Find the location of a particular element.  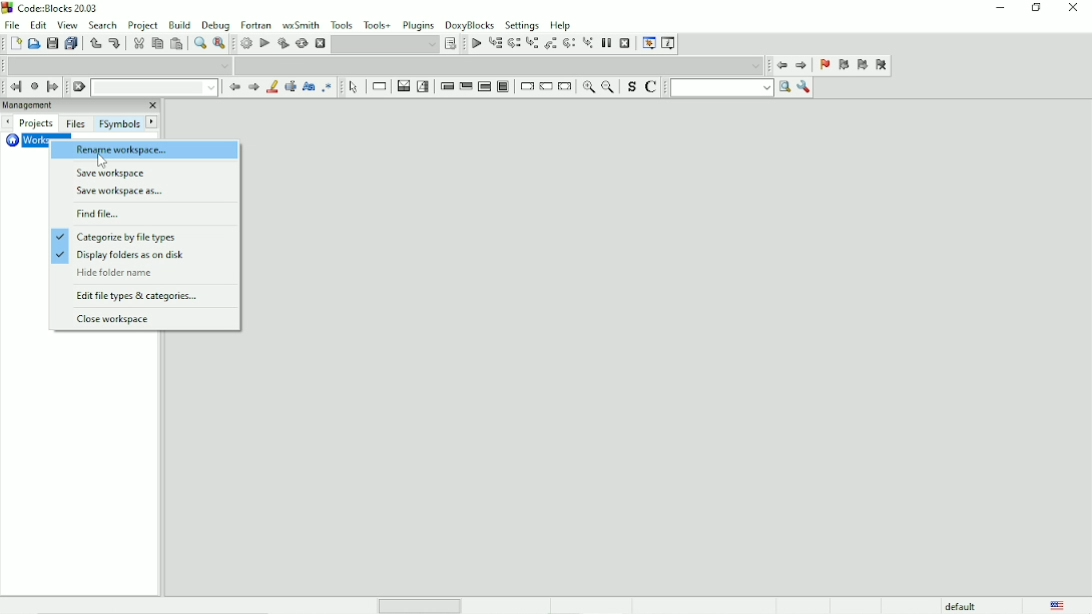

default is located at coordinates (962, 605).